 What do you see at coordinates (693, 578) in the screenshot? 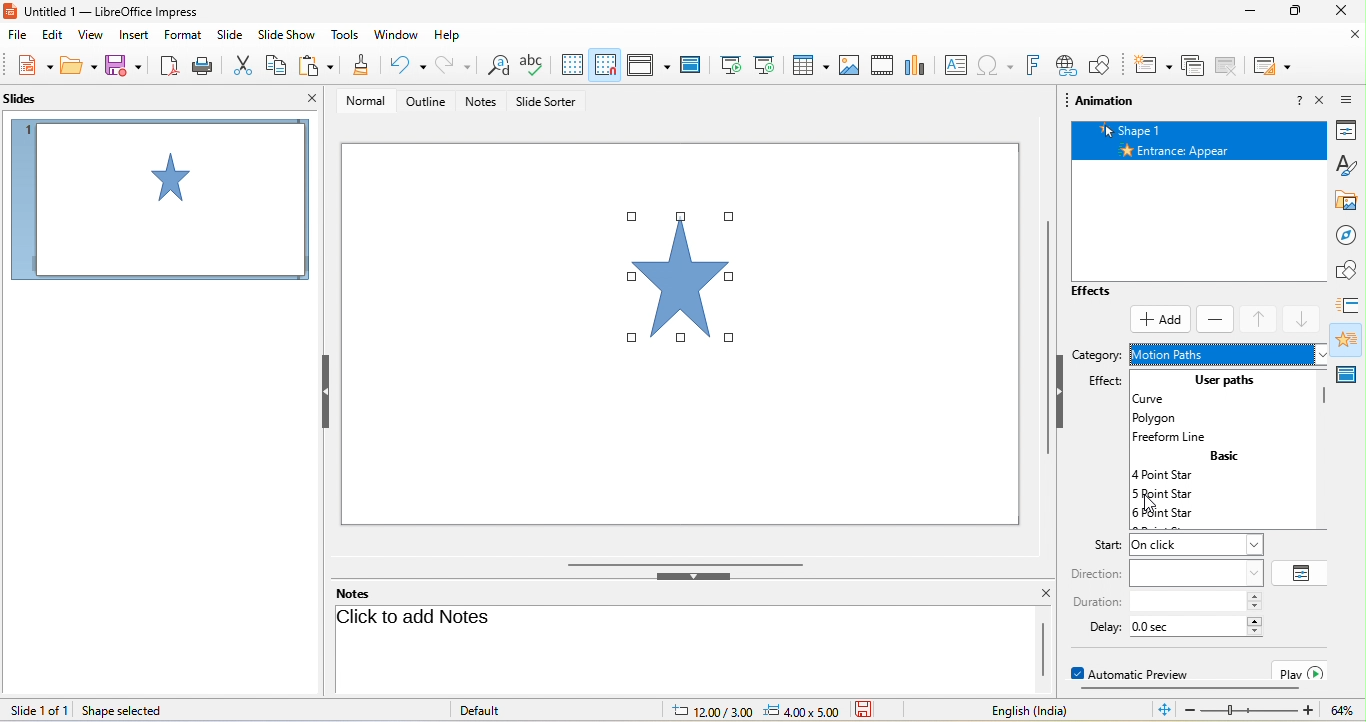
I see `hide bottom bar` at bounding box center [693, 578].